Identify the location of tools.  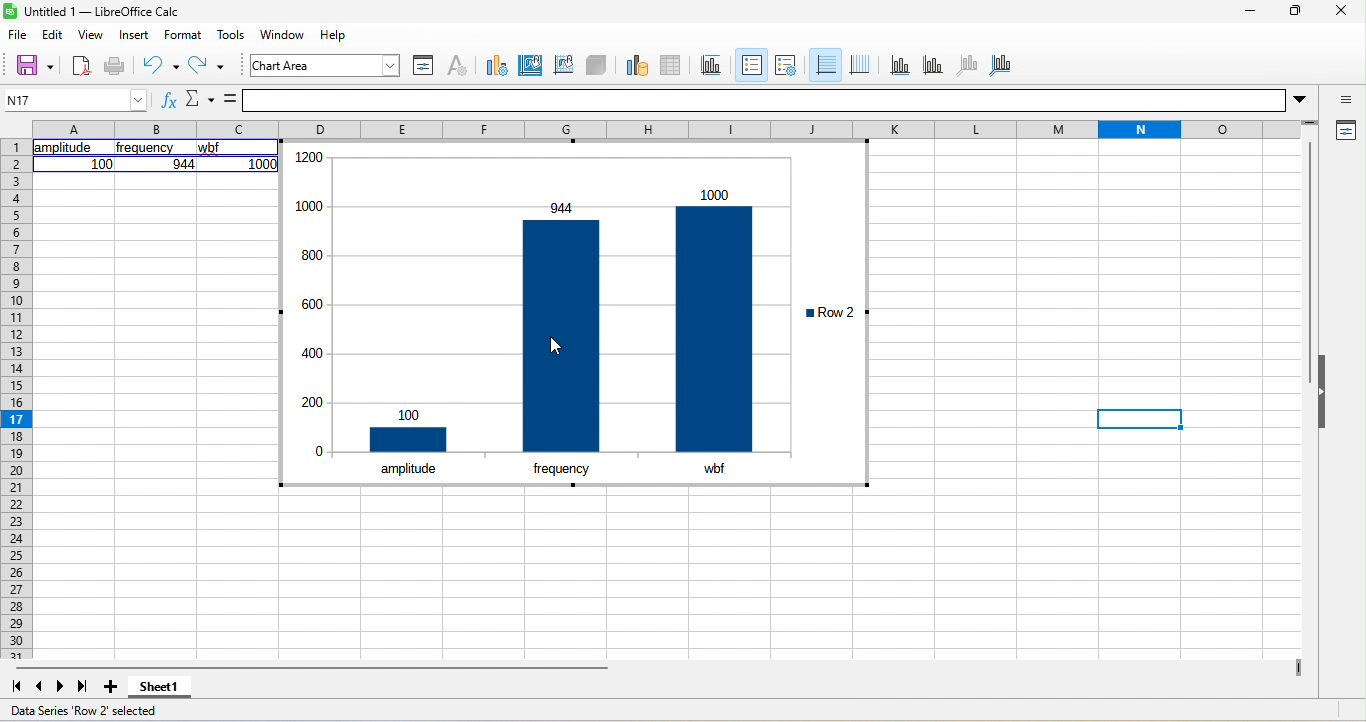
(230, 34).